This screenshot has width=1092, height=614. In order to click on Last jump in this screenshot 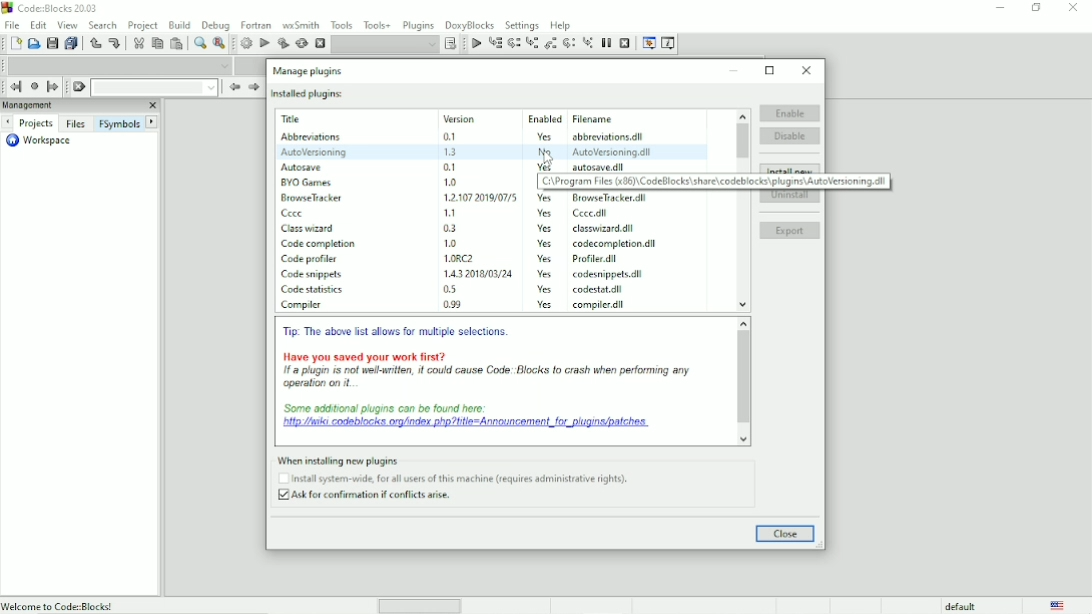, I will do `click(34, 86)`.